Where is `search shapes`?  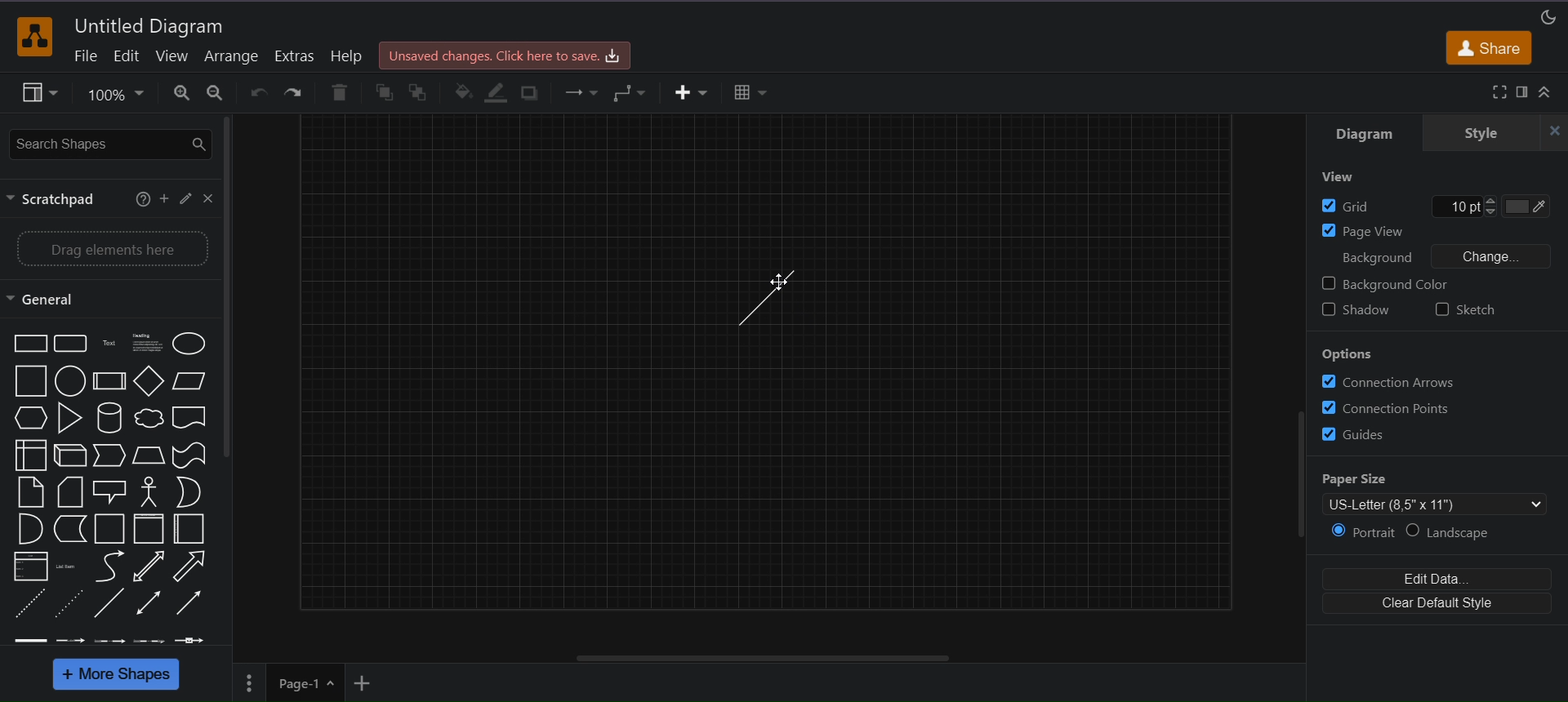 search shapes is located at coordinates (110, 144).